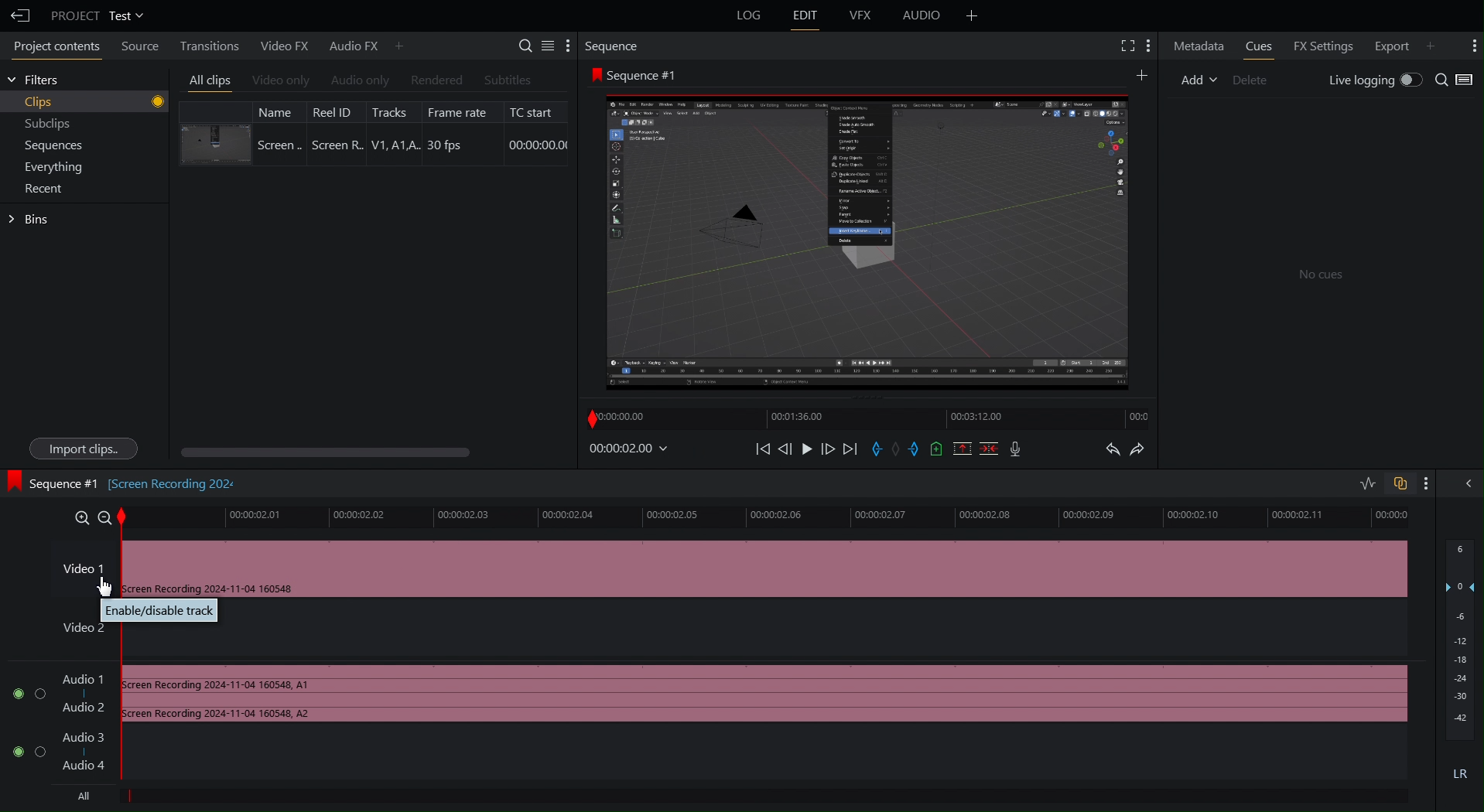 Image resolution: width=1484 pixels, height=812 pixels. What do you see at coordinates (1148, 450) in the screenshot?
I see `Redo` at bounding box center [1148, 450].